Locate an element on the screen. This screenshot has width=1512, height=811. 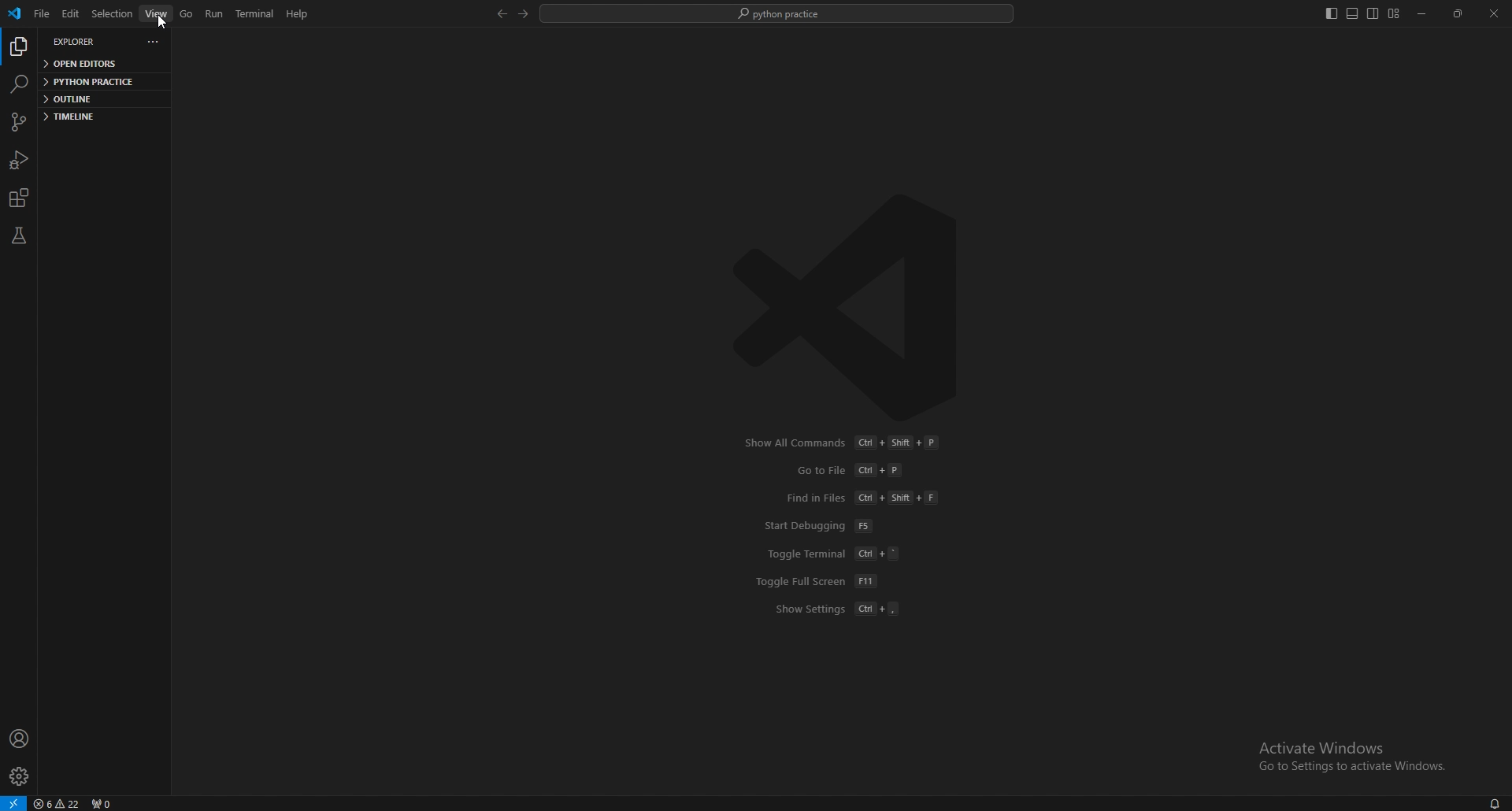
toggle terminal ctrl+' is located at coordinates (837, 554).